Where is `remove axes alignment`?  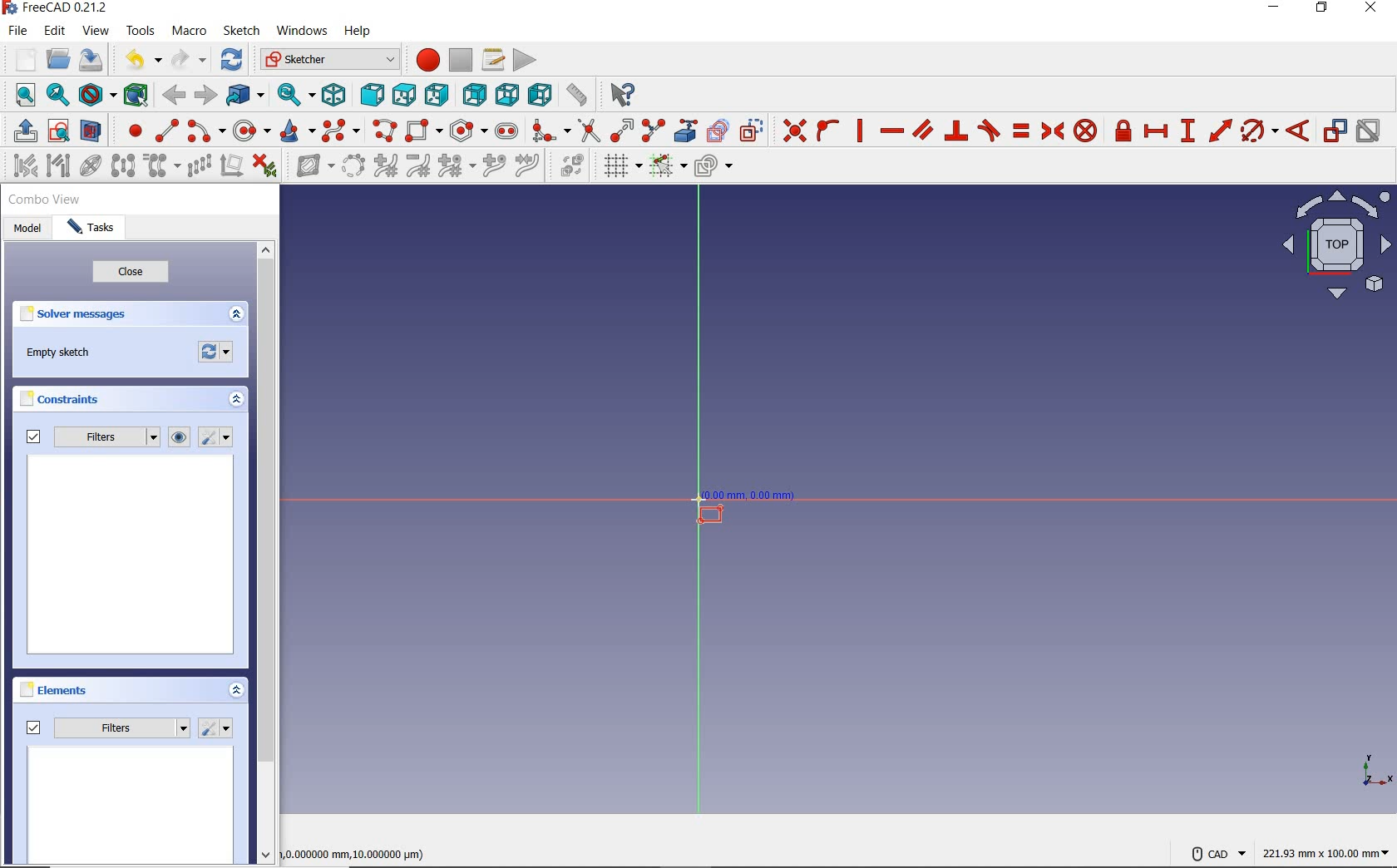 remove axes alignment is located at coordinates (231, 166).